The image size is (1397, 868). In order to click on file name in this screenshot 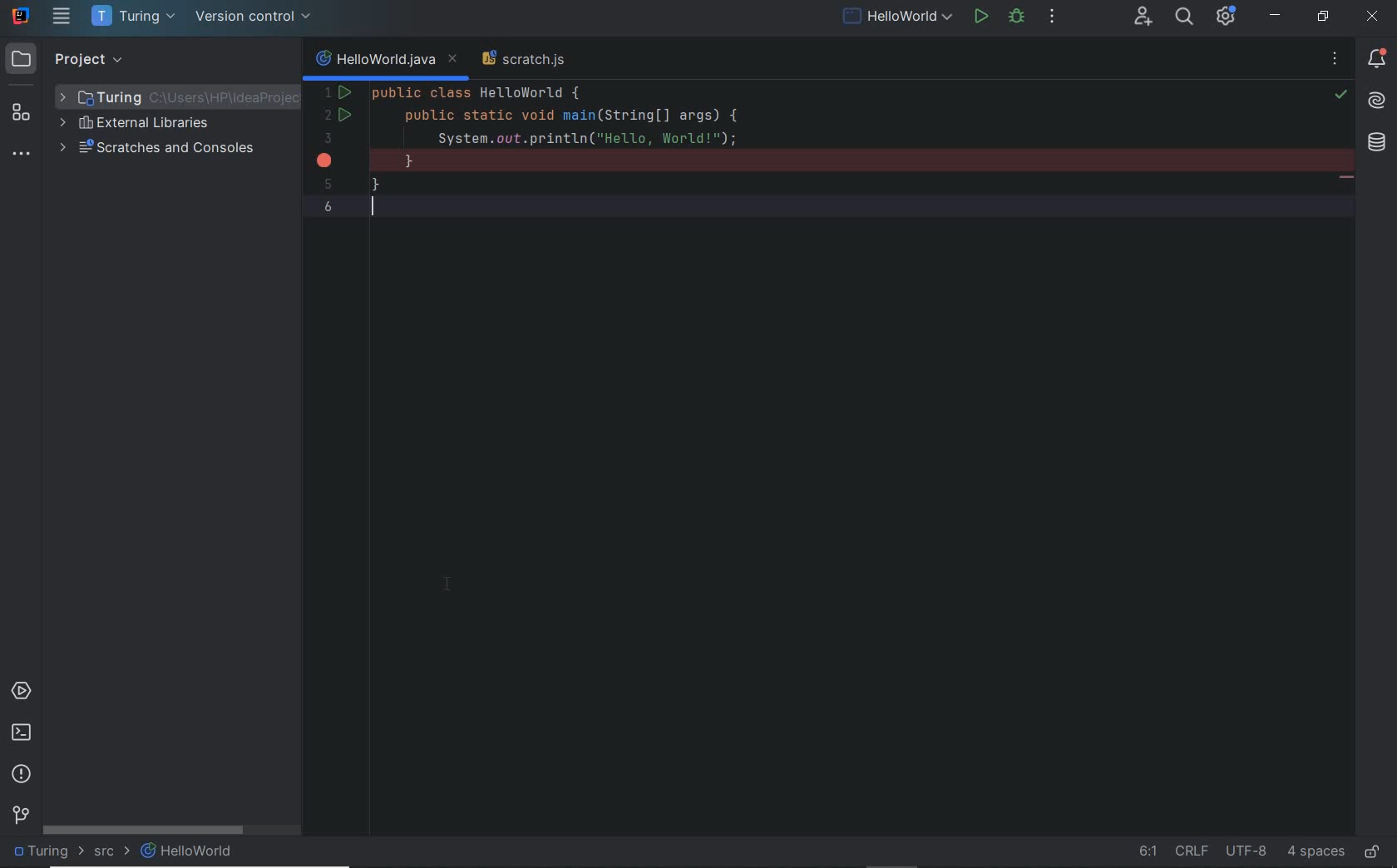, I will do `click(185, 853)`.